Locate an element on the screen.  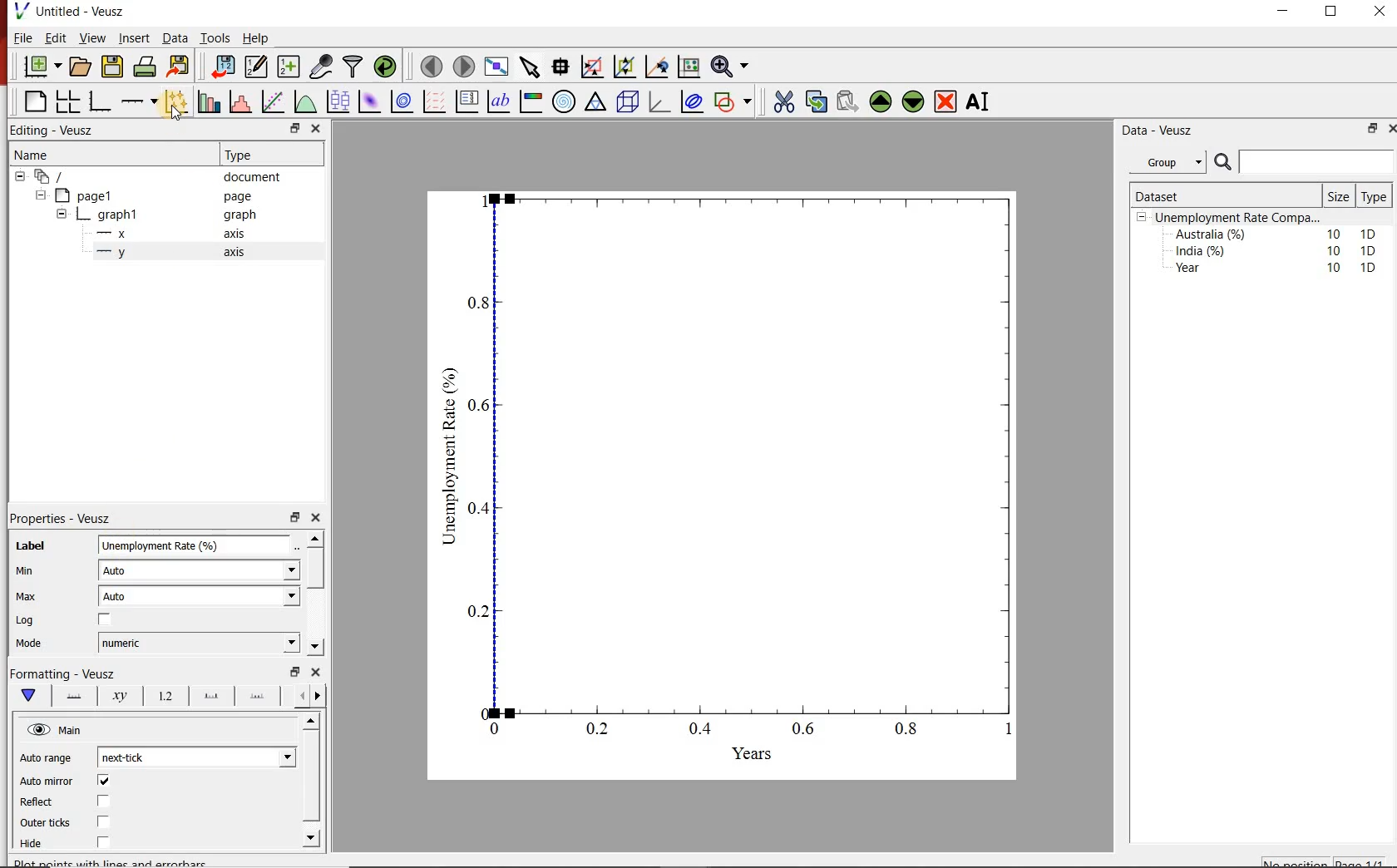
page1 page is located at coordinates (160, 195).